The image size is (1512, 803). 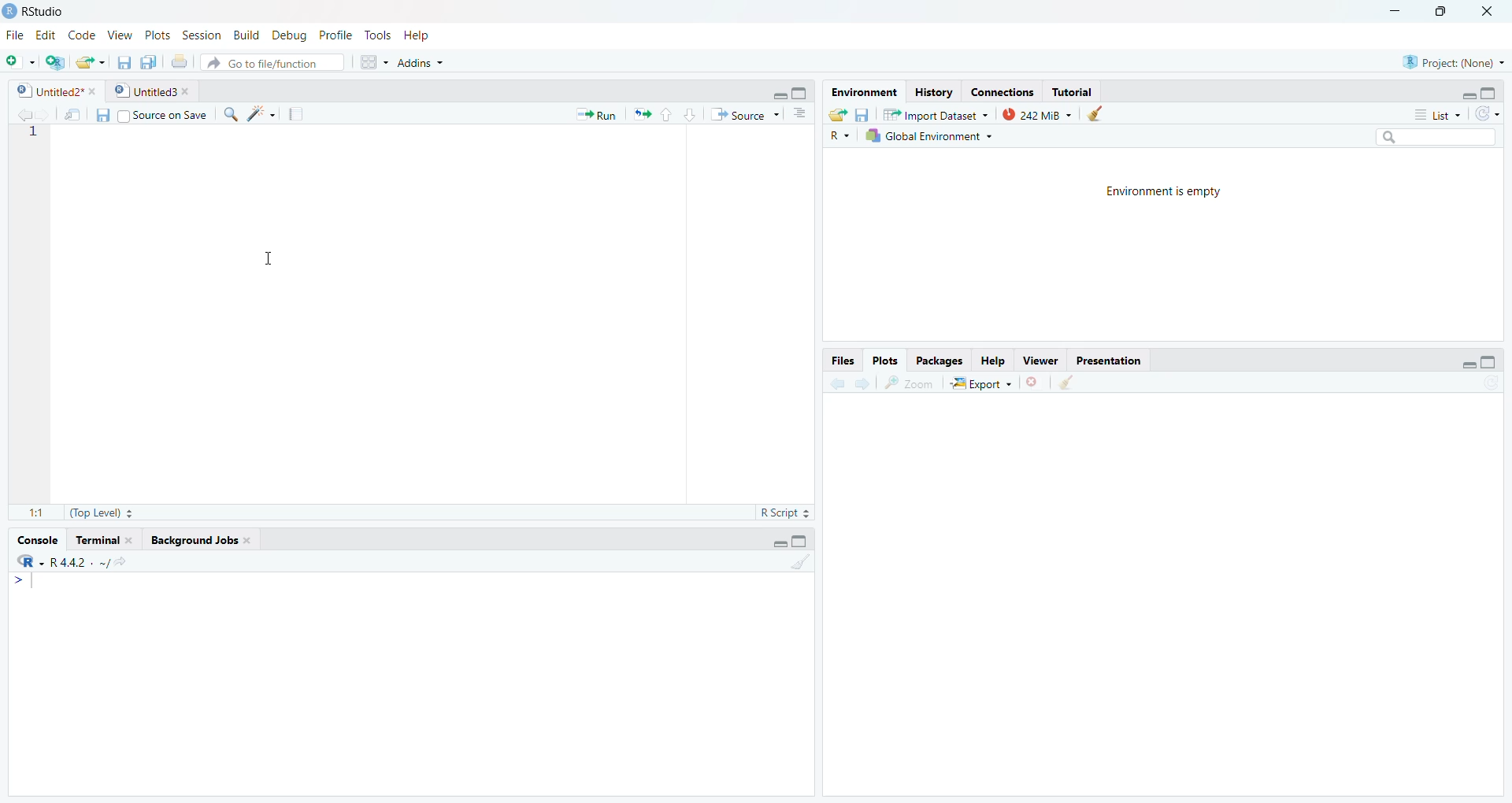 I want to click on minimize, so click(x=777, y=545).